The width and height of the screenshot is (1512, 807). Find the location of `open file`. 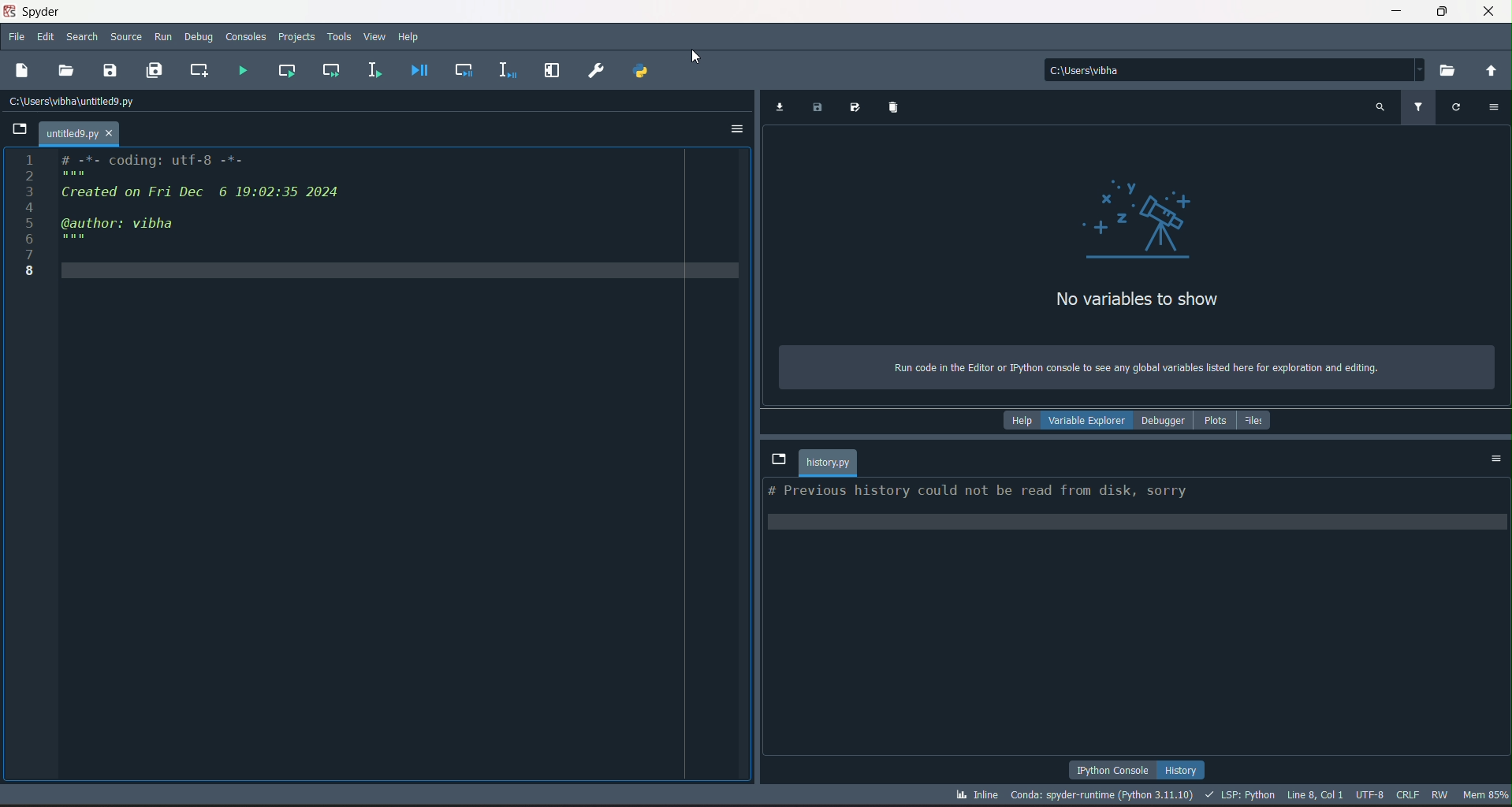

open file is located at coordinates (65, 72).